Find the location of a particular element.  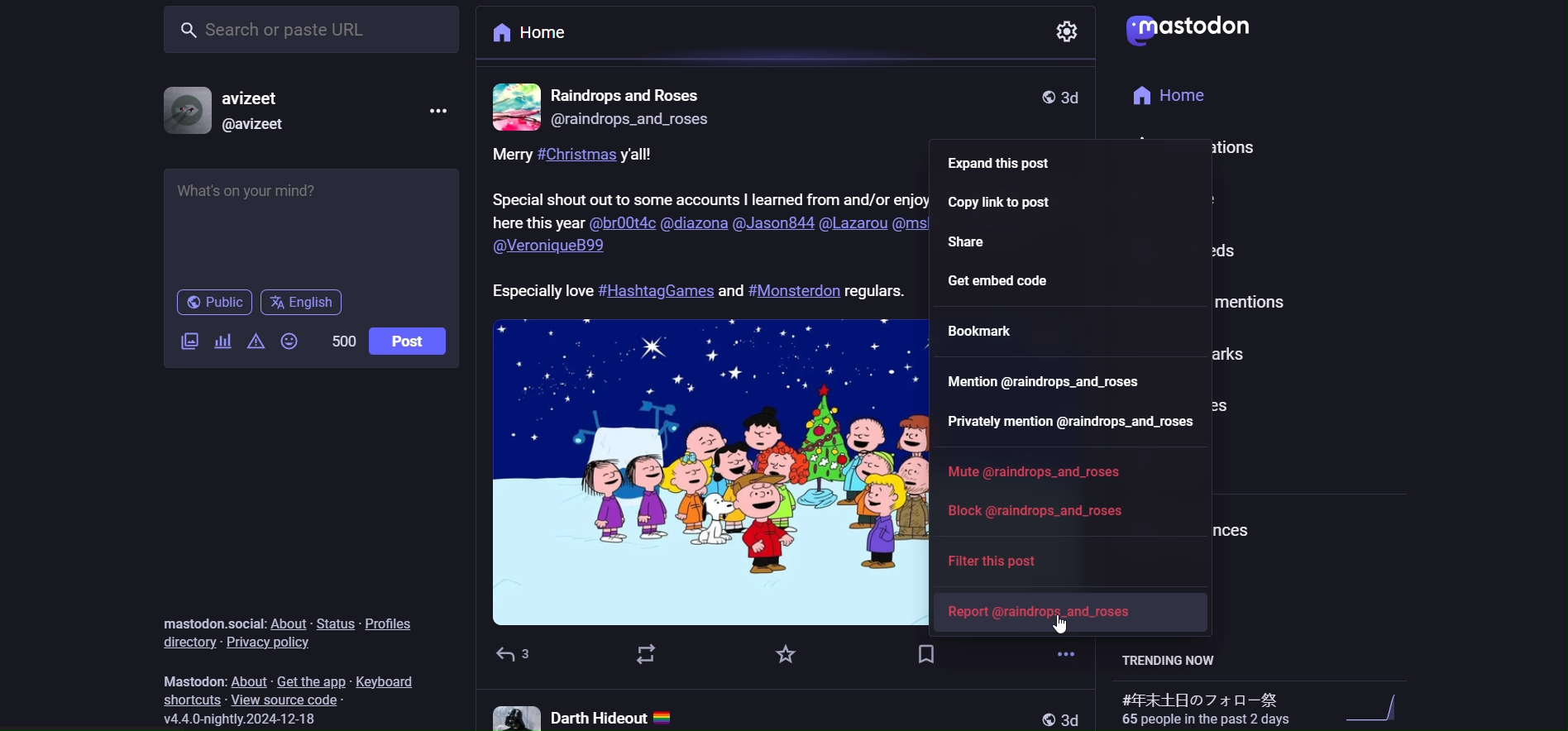

directory is located at coordinates (186, 643).